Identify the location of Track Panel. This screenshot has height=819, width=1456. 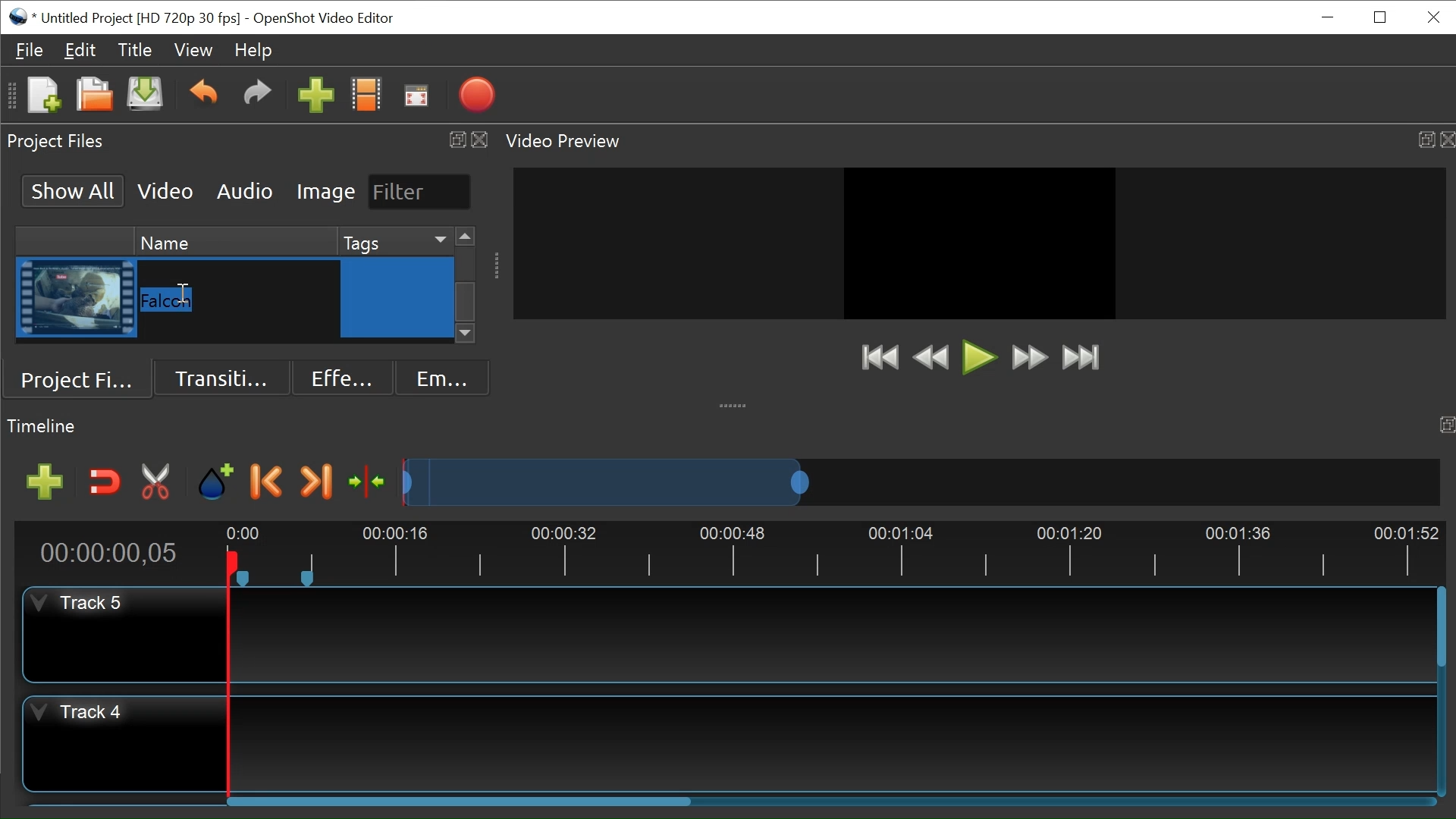
(833, 741).